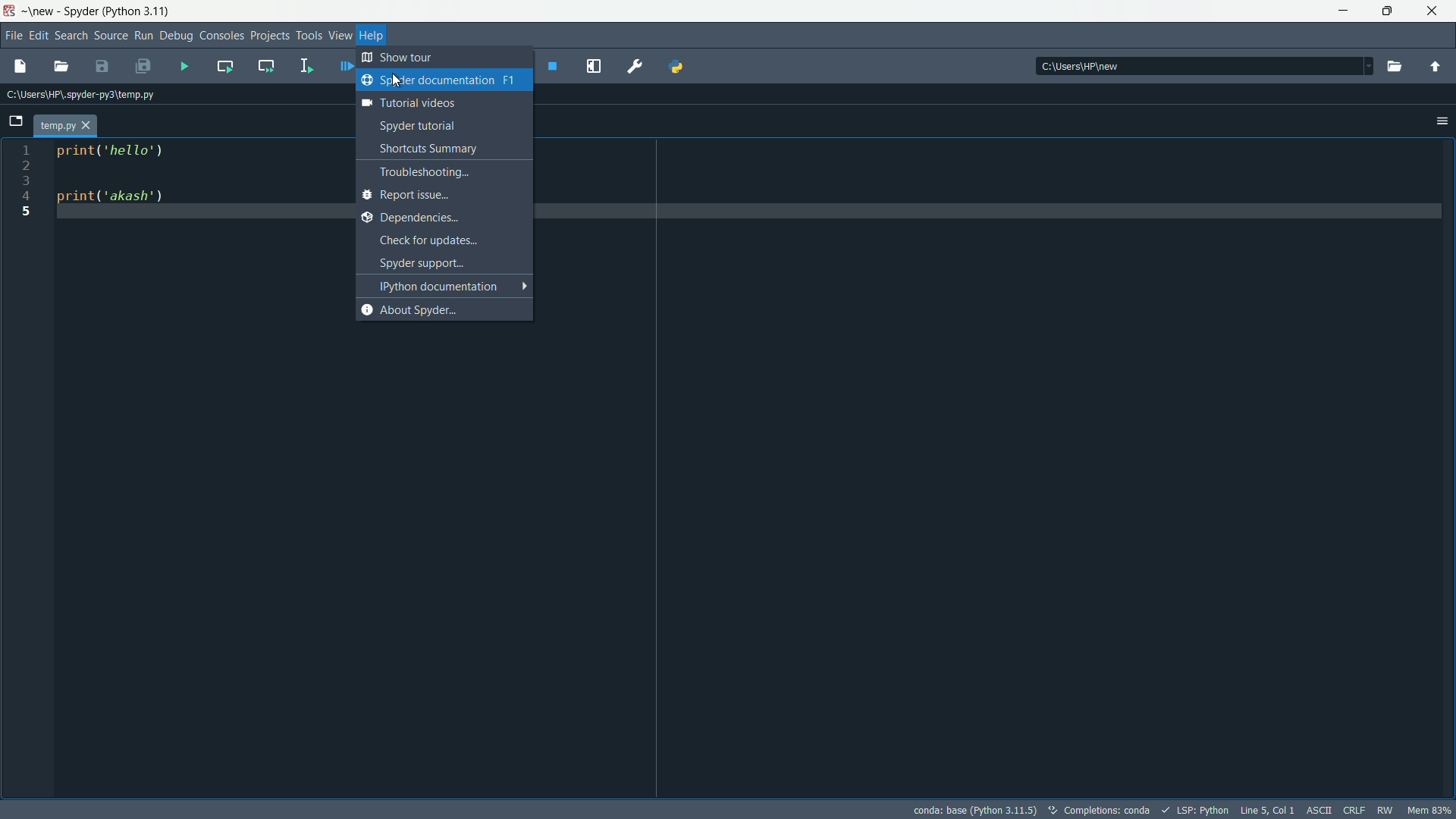  What do you see at coordinates (12, 37) in the screenshot?
I see `file menu` at bounding box center [12, 37].